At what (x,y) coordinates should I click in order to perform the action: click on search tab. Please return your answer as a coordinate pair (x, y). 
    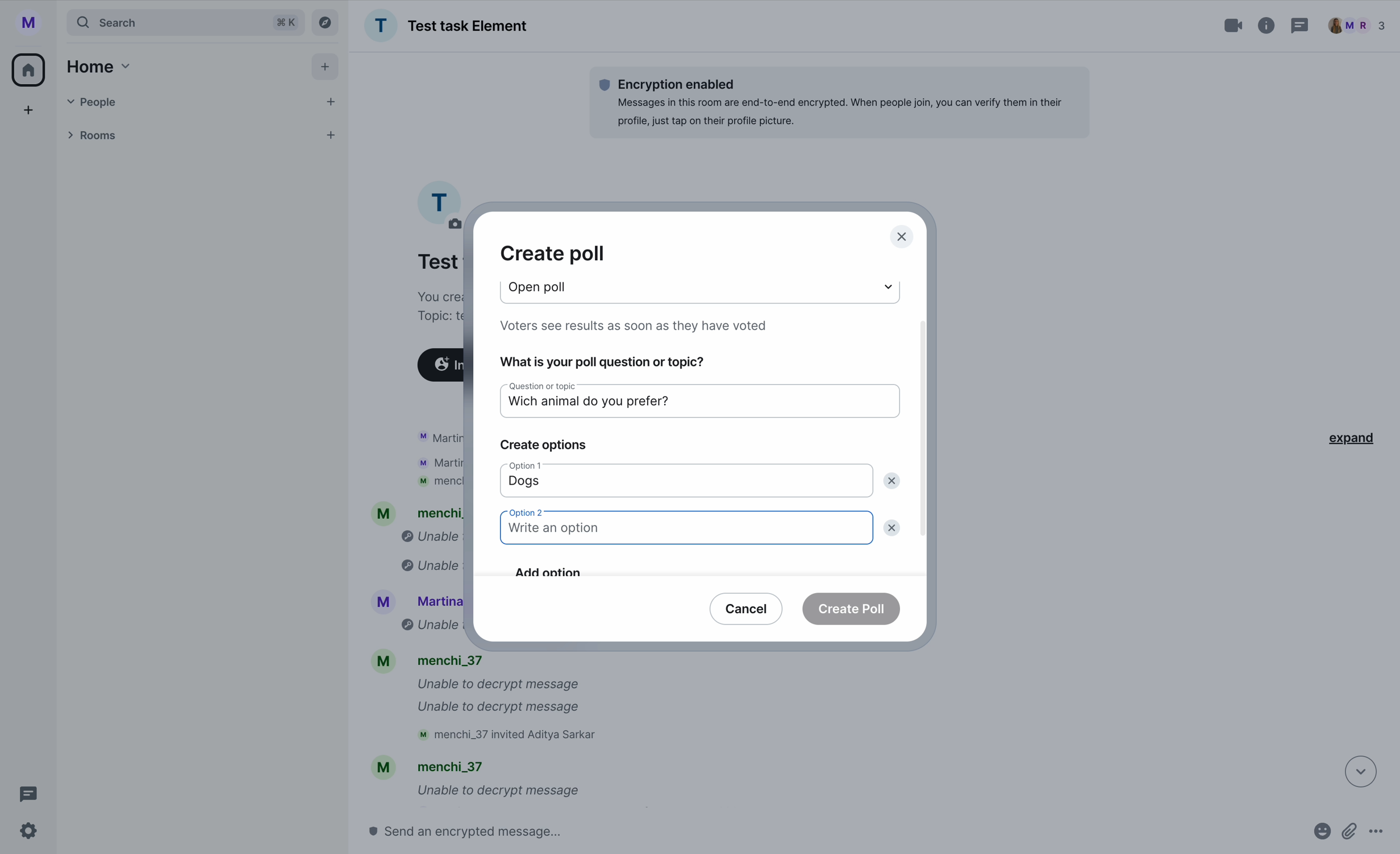
    Looking at the image, I should click on (185, 22).